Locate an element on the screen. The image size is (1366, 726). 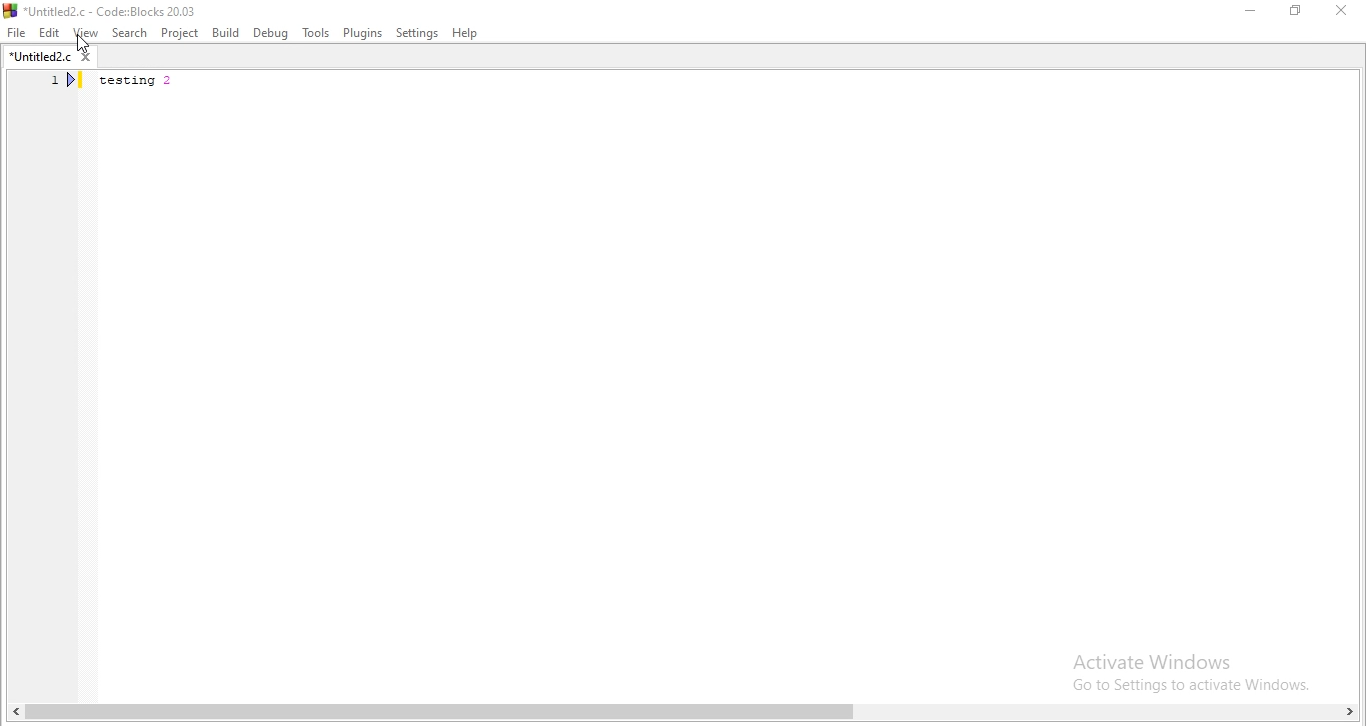
tools is located at coordinates (315, 31).